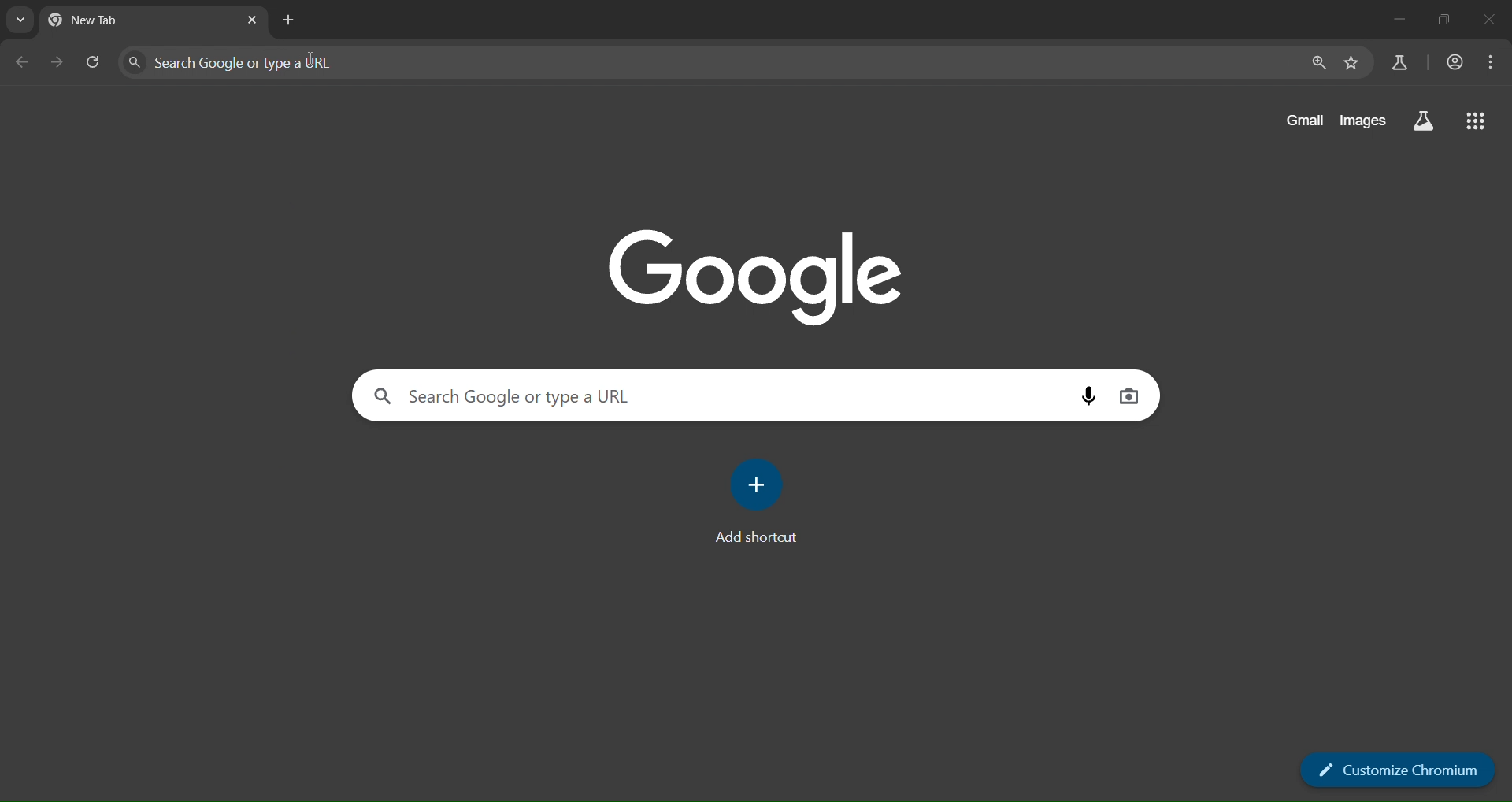 The height and width of the screenshot is (802, 1512). Describe the element at coordinates (292, 19) in the screenshot. I see `new tab` at that location.